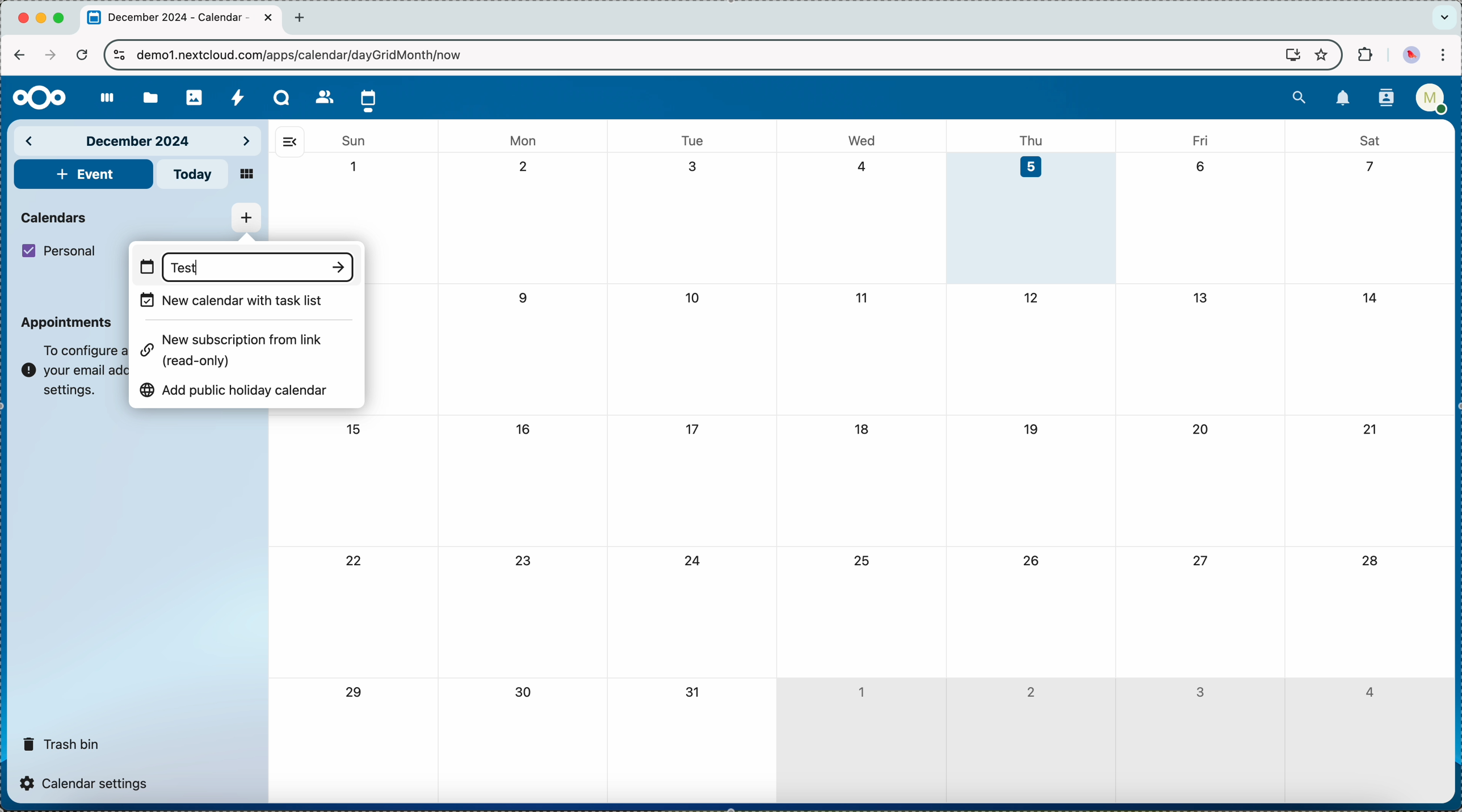  What do you see at coordinates (1200, 297) in the screenshot?
I see `13` at bounding box center [1200, 297].